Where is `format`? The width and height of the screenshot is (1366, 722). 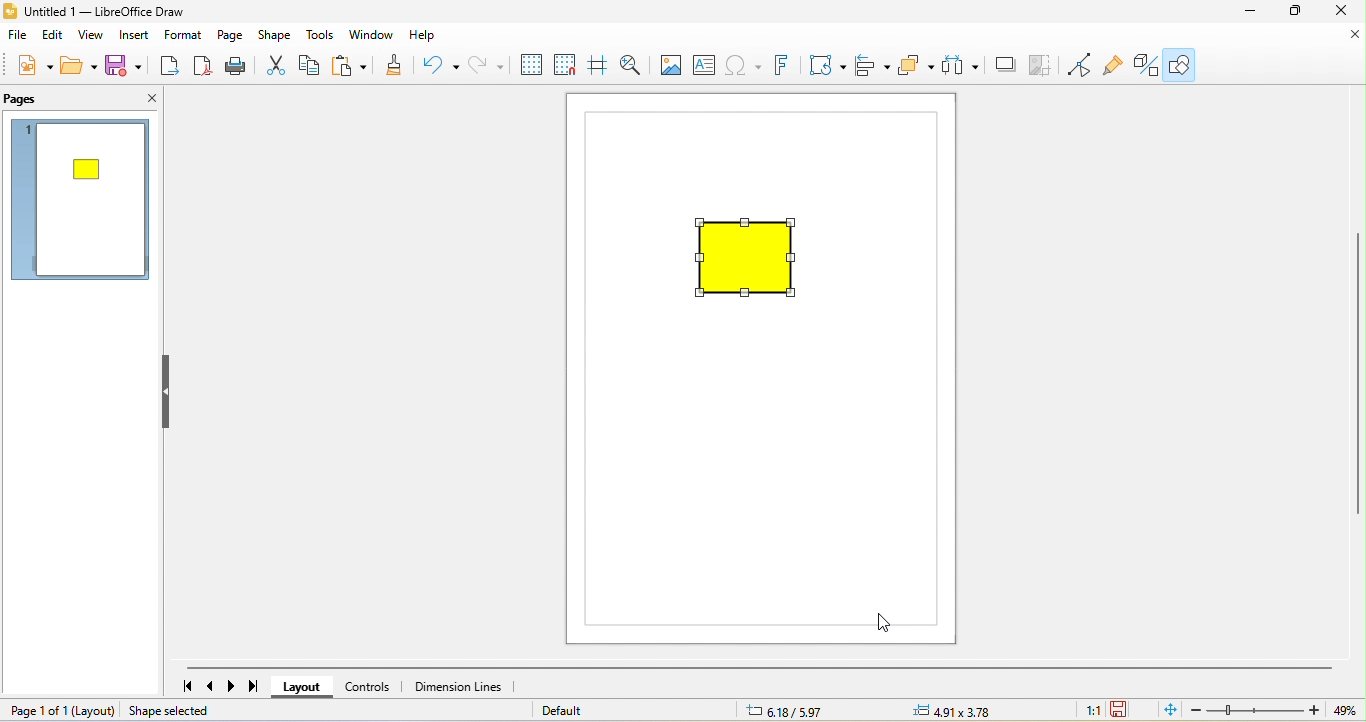
format is located at coordinates (185, 36).